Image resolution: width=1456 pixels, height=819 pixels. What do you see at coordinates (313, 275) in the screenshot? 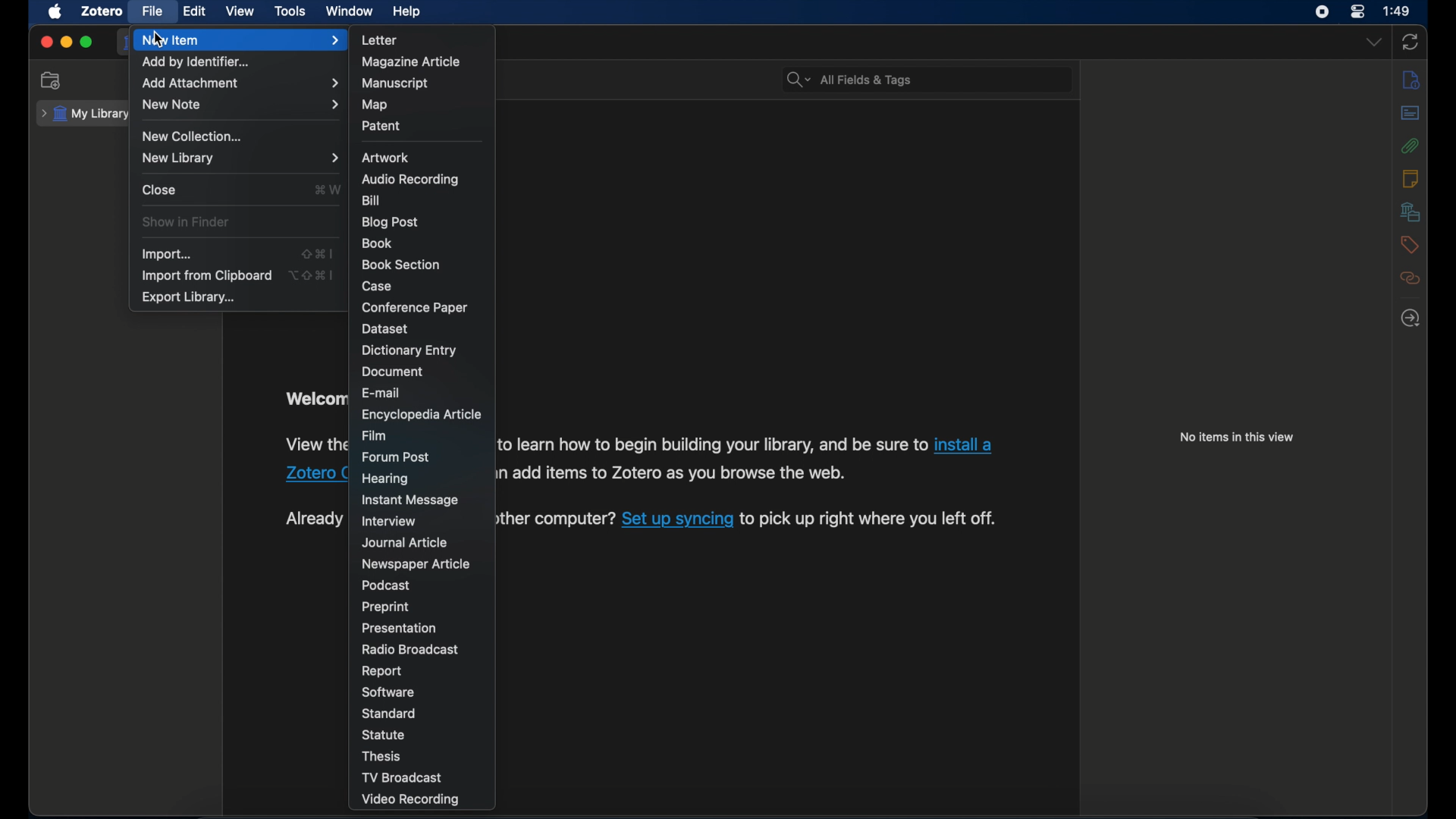
I see `option + shift + command + I` at bounding box center [313, 275].